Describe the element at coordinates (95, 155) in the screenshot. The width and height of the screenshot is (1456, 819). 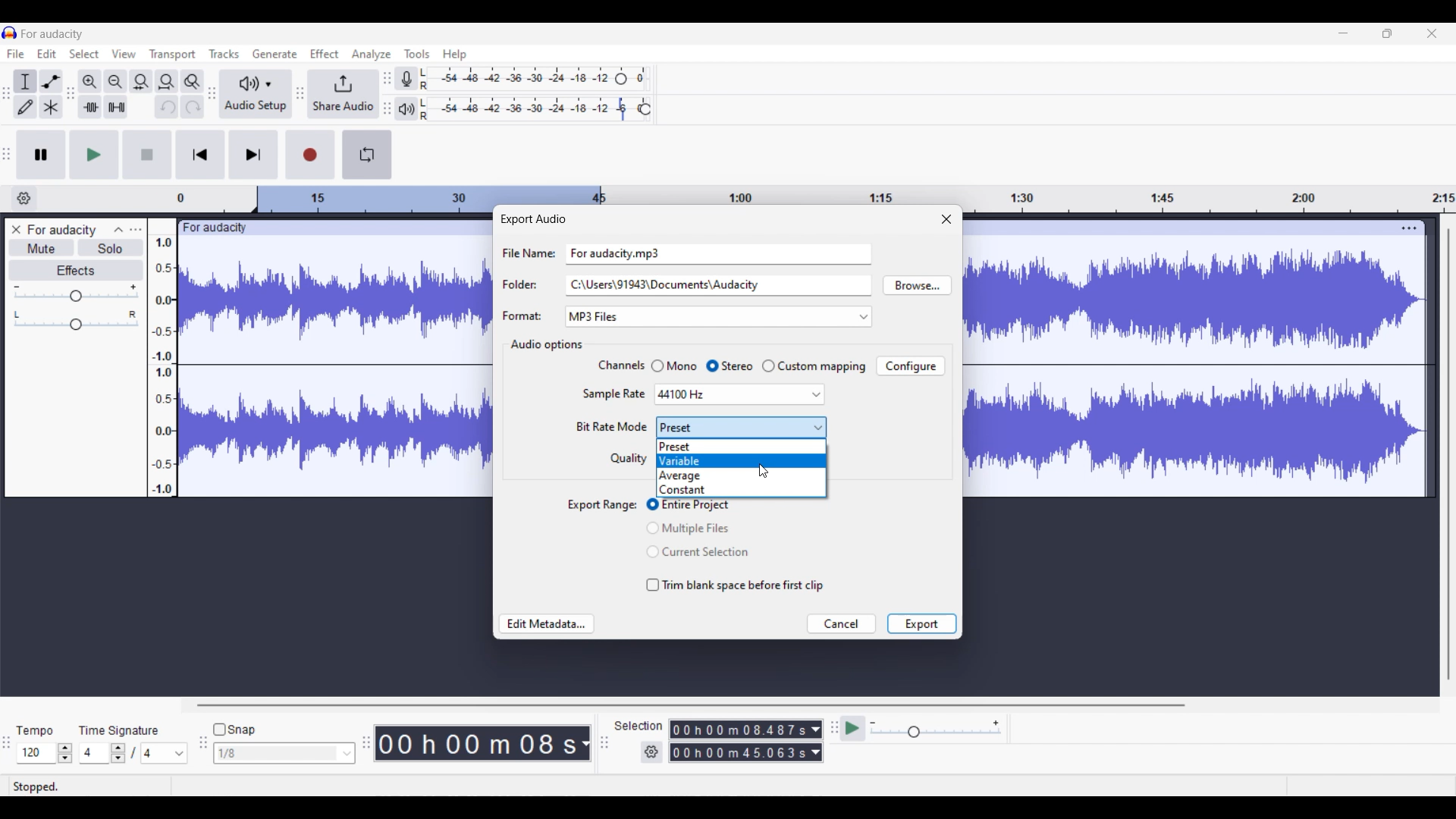
I see `Play/Play once` at that location.